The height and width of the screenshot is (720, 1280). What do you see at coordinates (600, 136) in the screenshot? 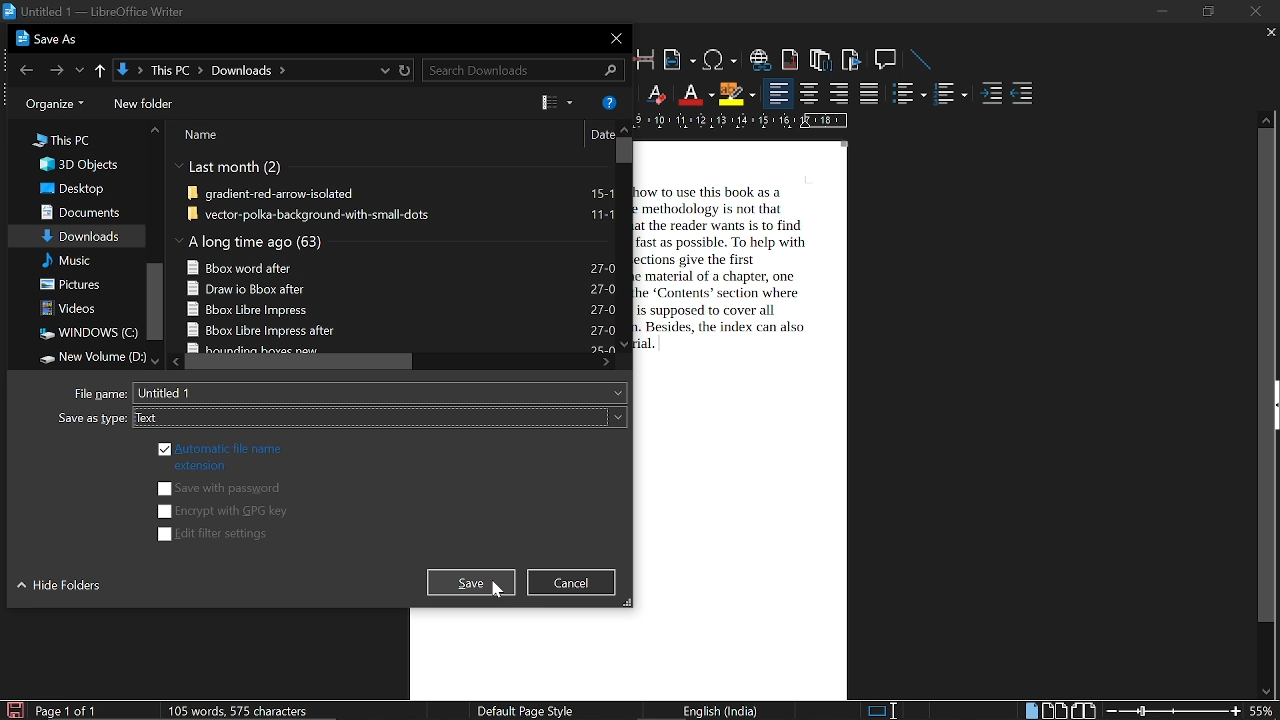
I see `Date` at bounding box center [600, 136].